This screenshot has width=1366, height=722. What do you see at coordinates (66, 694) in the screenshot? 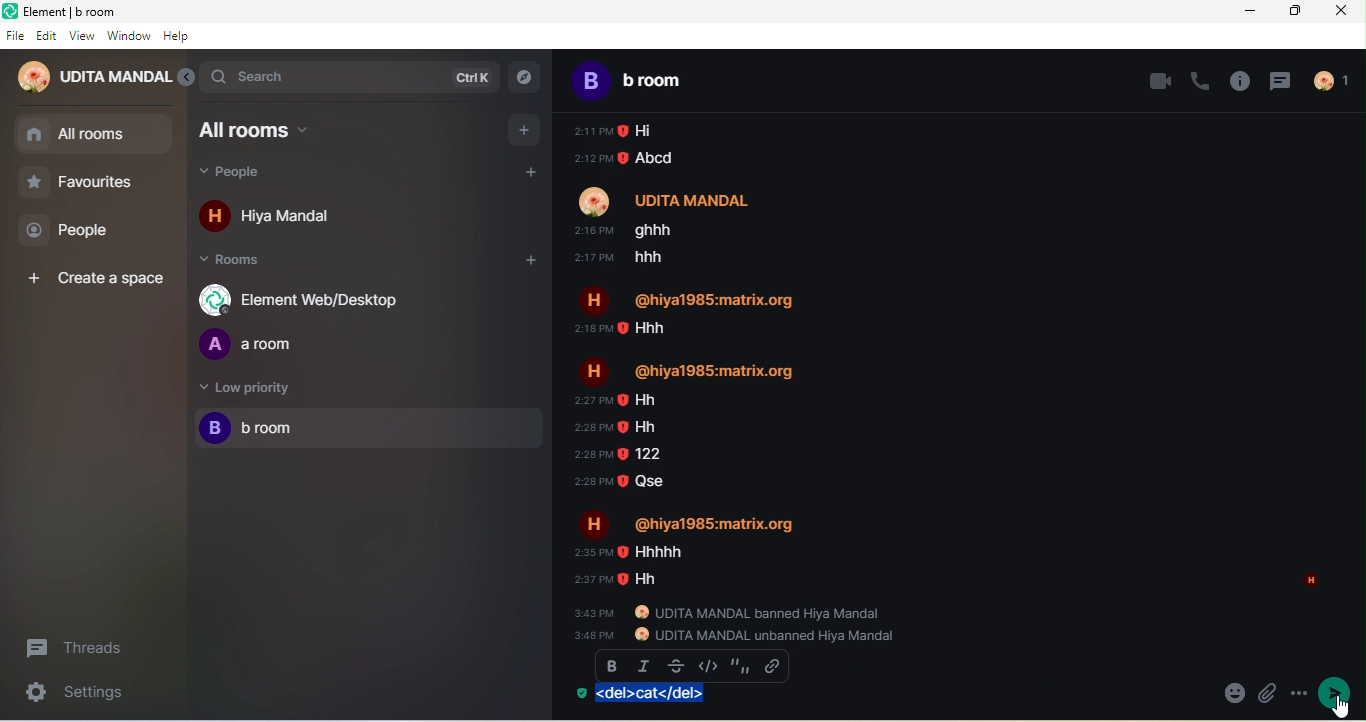
I see `settings` at bounding box center [66, 694].